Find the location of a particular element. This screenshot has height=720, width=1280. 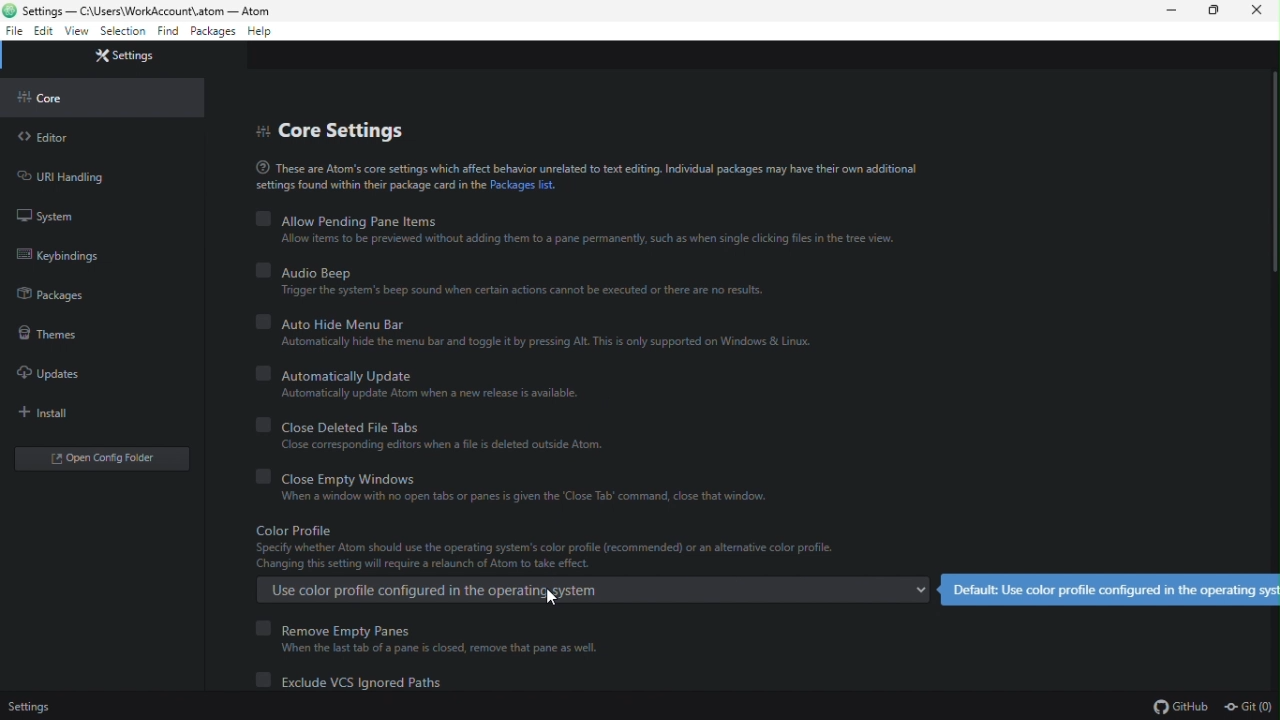

system is located at coordinates (56, 218).